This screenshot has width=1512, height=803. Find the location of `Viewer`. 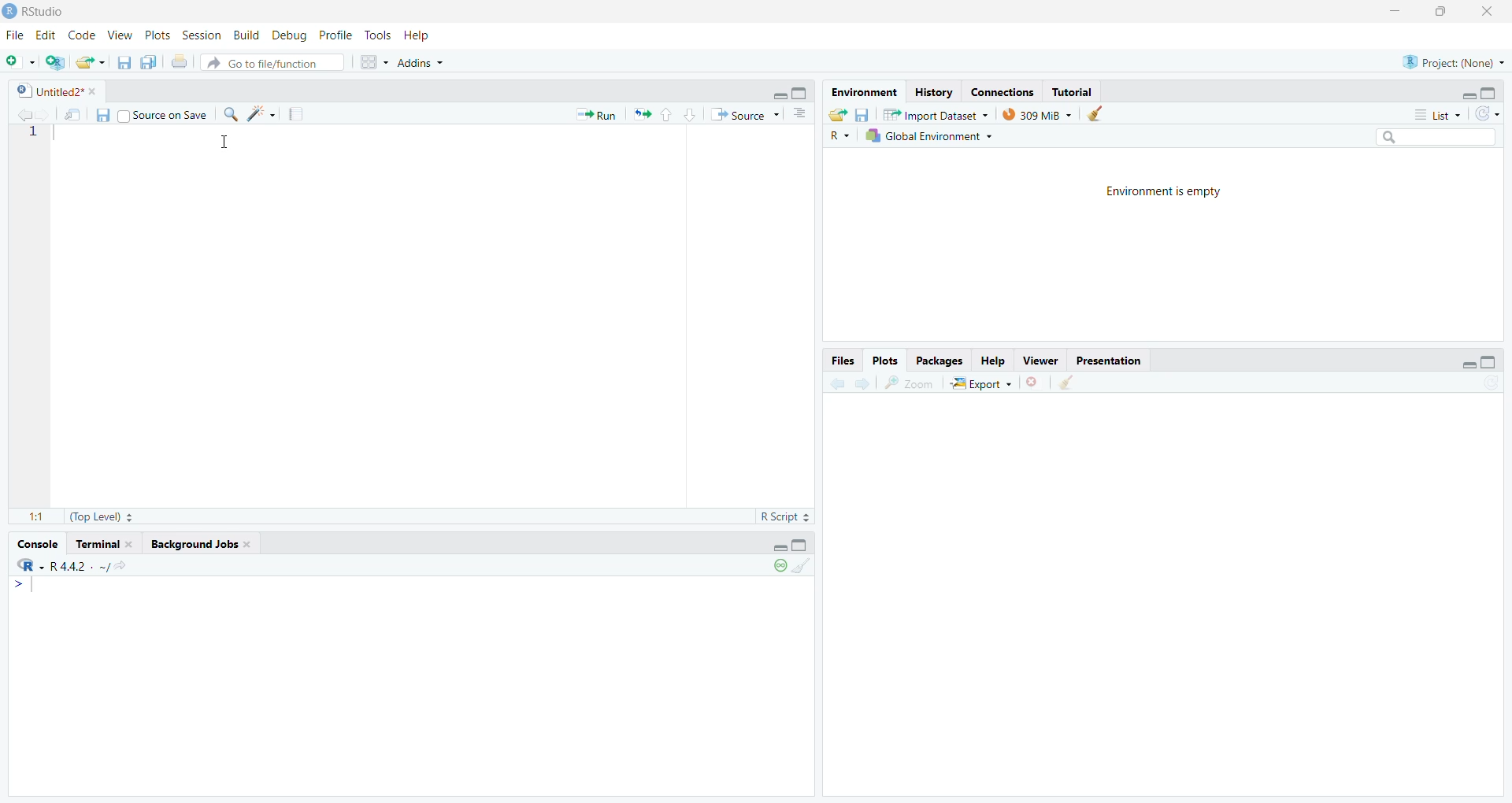

Viewer is located at coordinates (1042, 361).